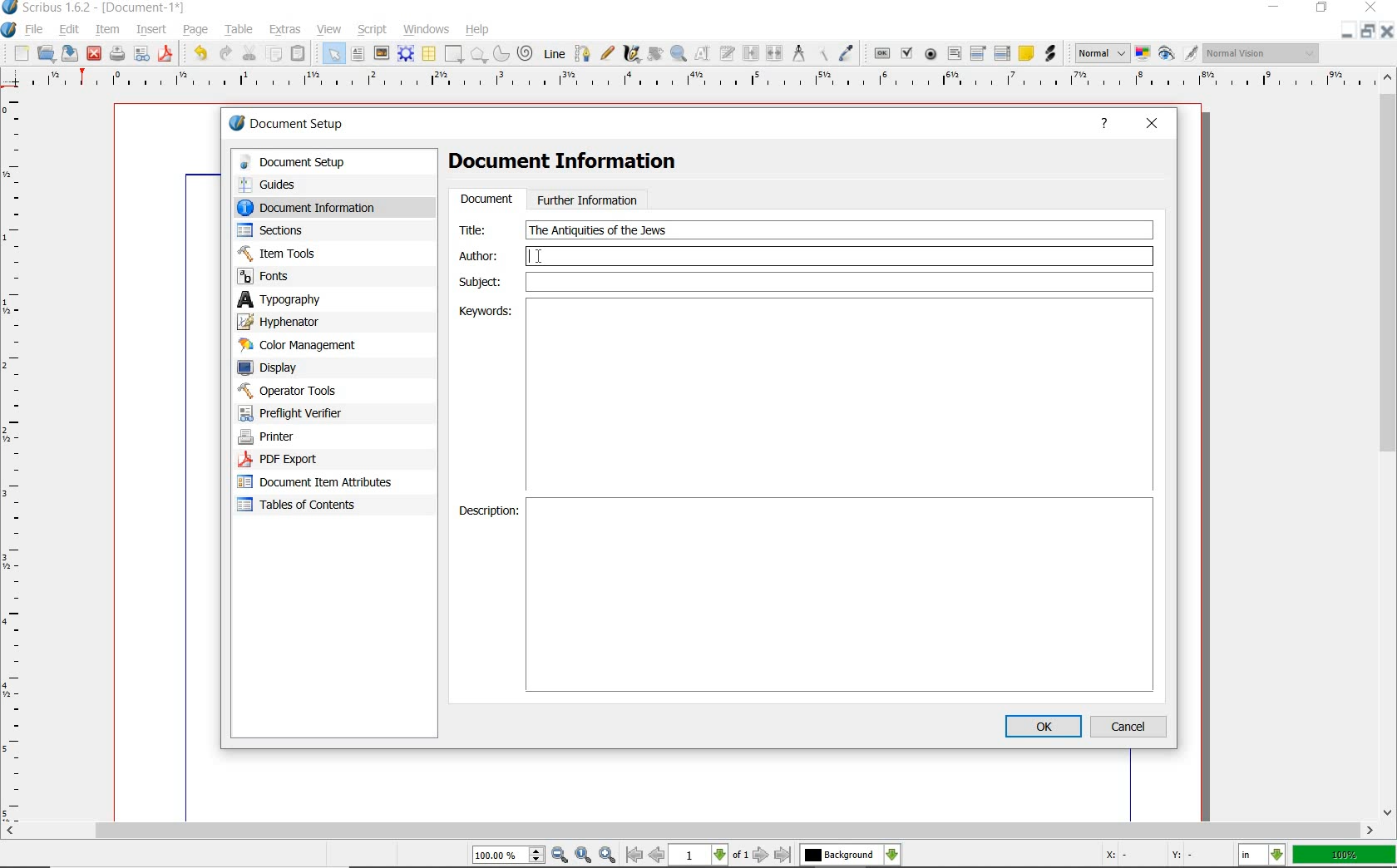 The height and width of the screenshot is (868, 1397). I want to click on further information, so click(588, 199).